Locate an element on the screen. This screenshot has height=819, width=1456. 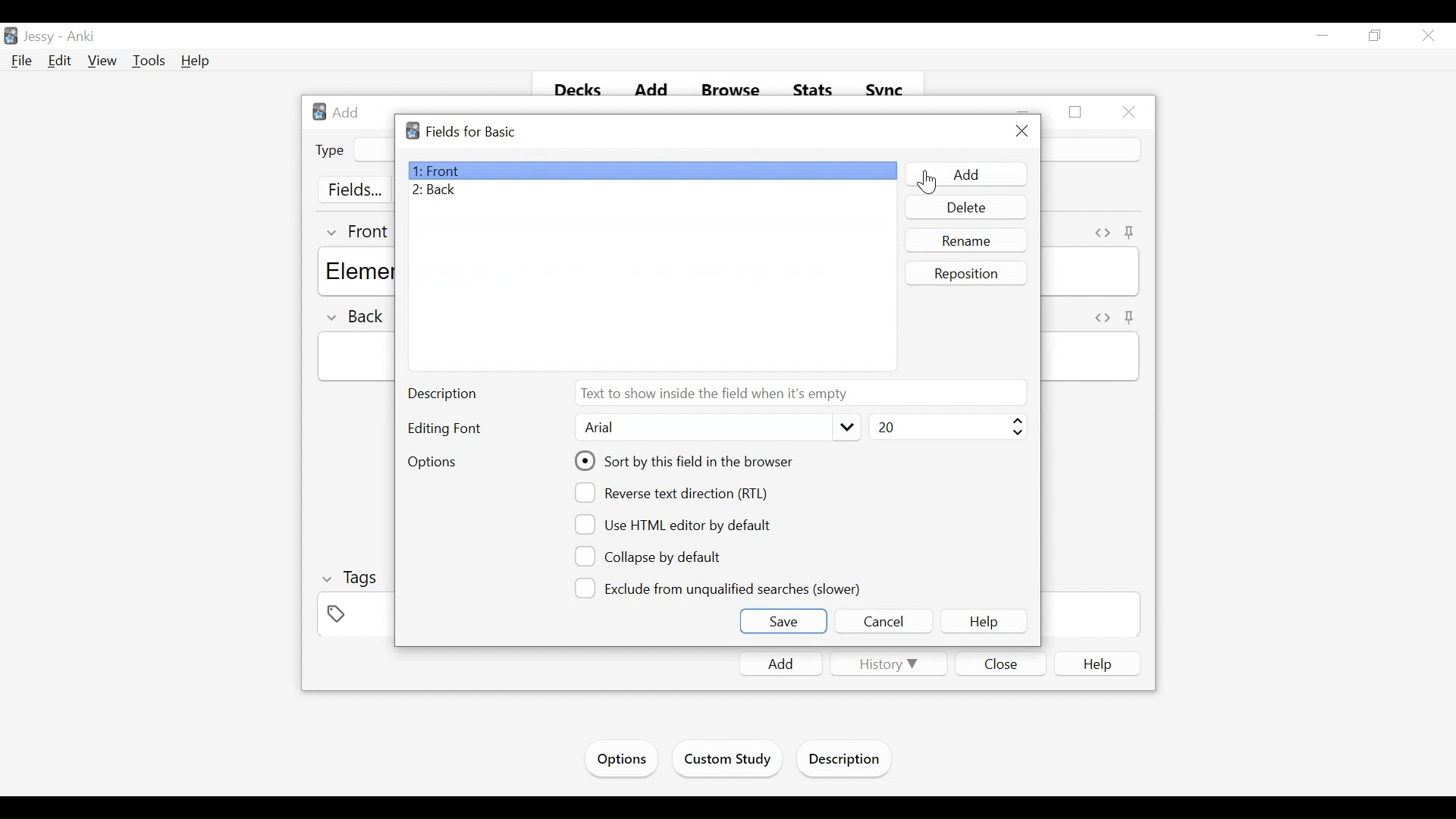
User Name is located at coordinates (42, 37).